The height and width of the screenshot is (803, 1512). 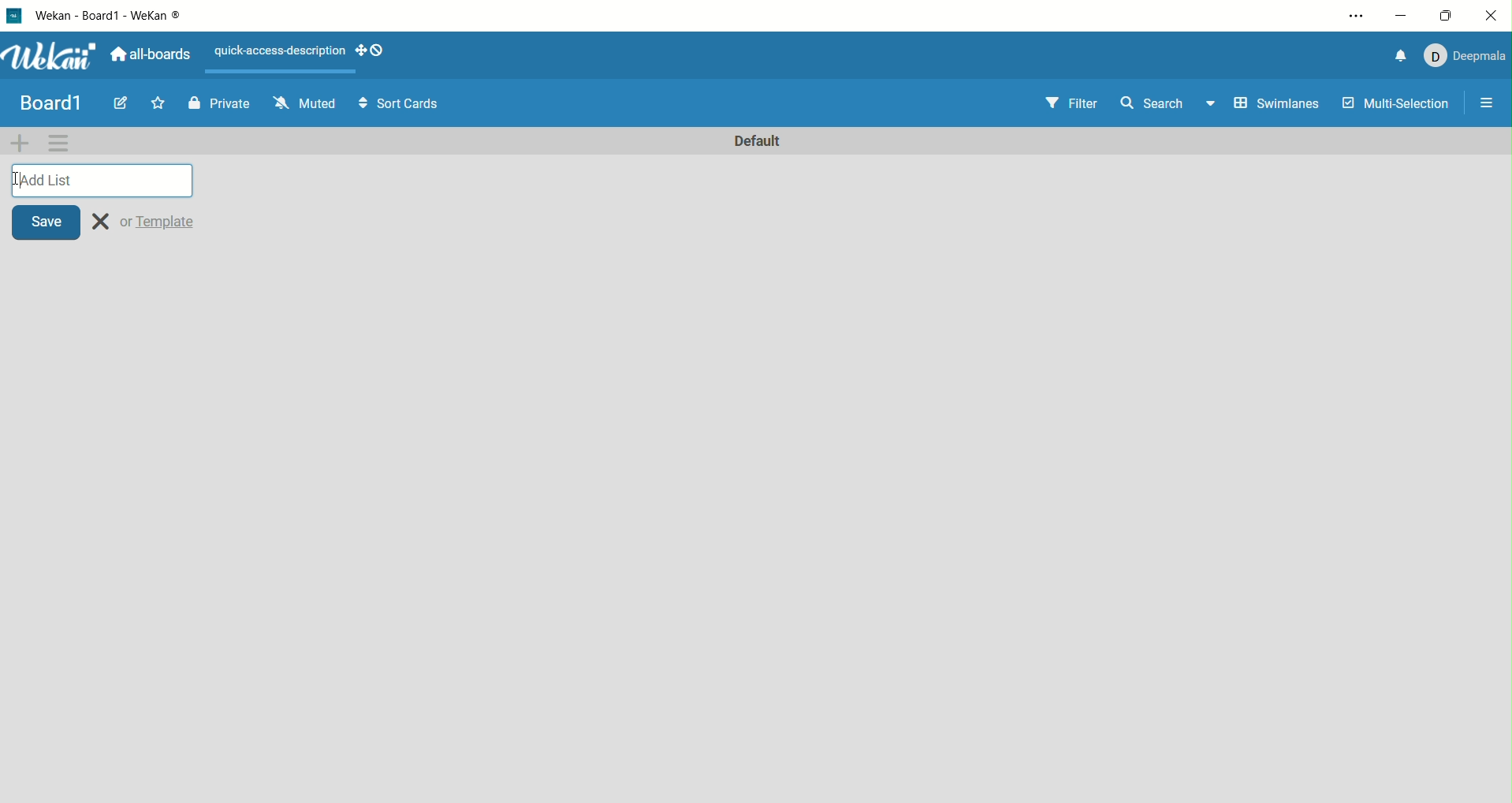 What do you see at coordinates (160, 222) in the screenshot?
I see `template` at bounding box center [160, 222].